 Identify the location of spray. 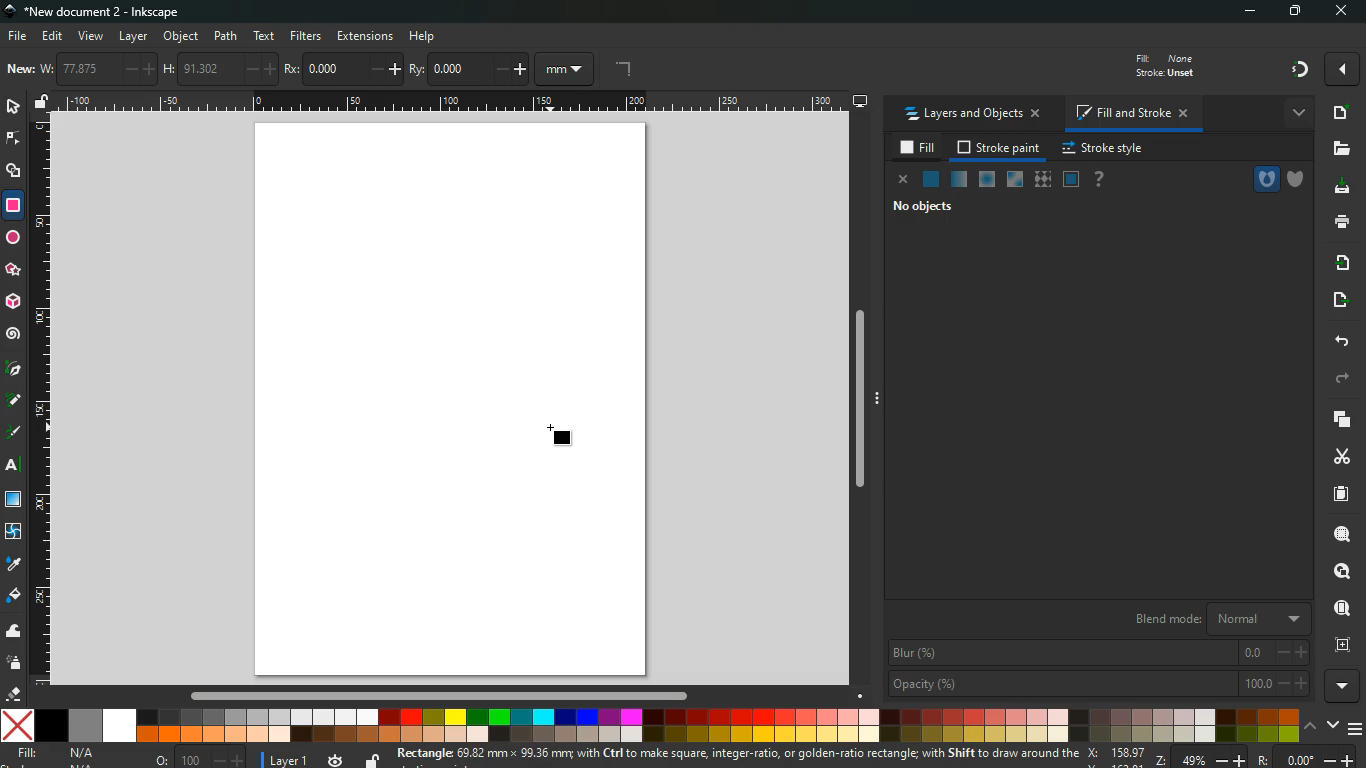
(14, 664).